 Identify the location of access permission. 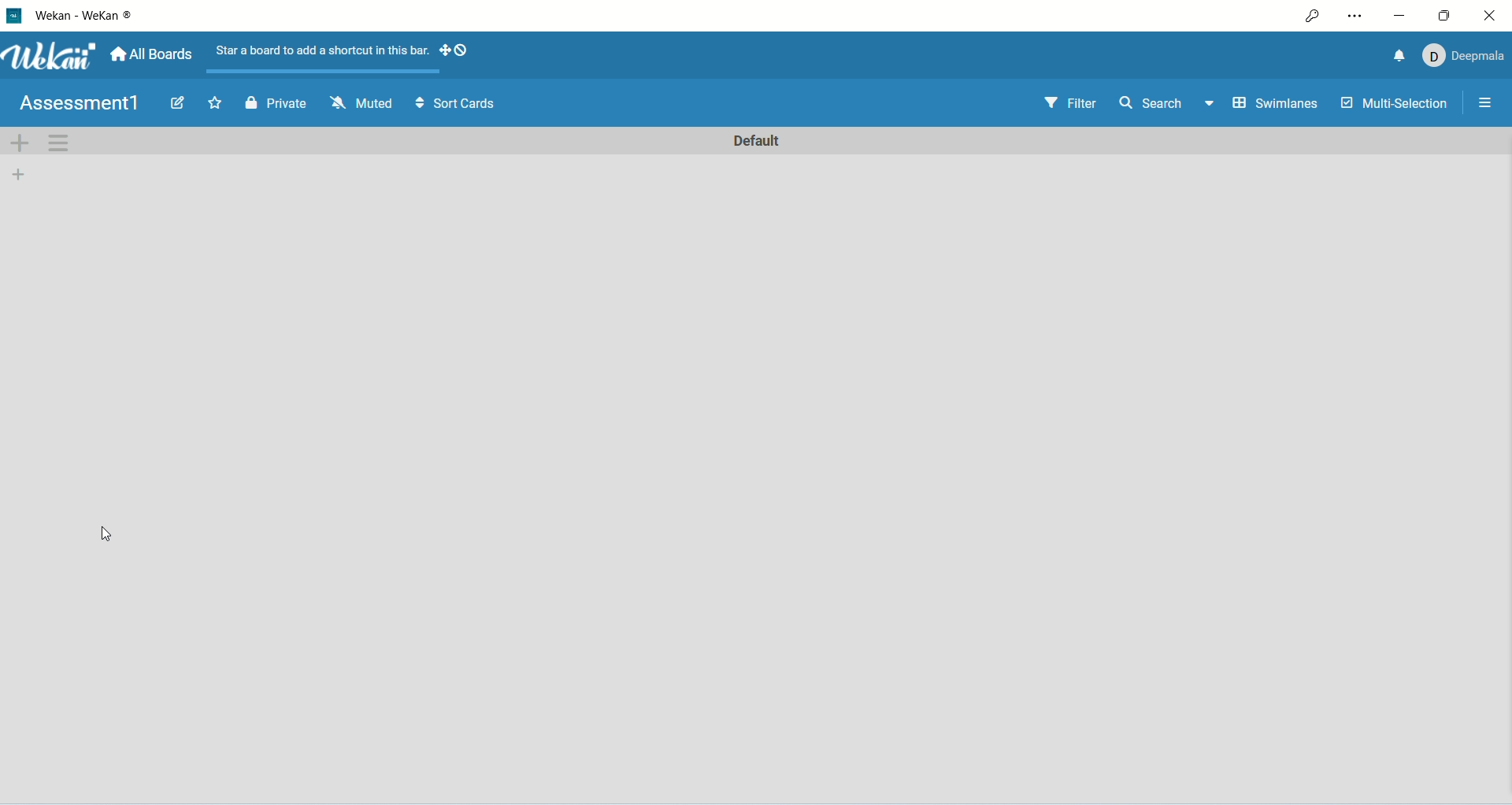
(1313, 16).